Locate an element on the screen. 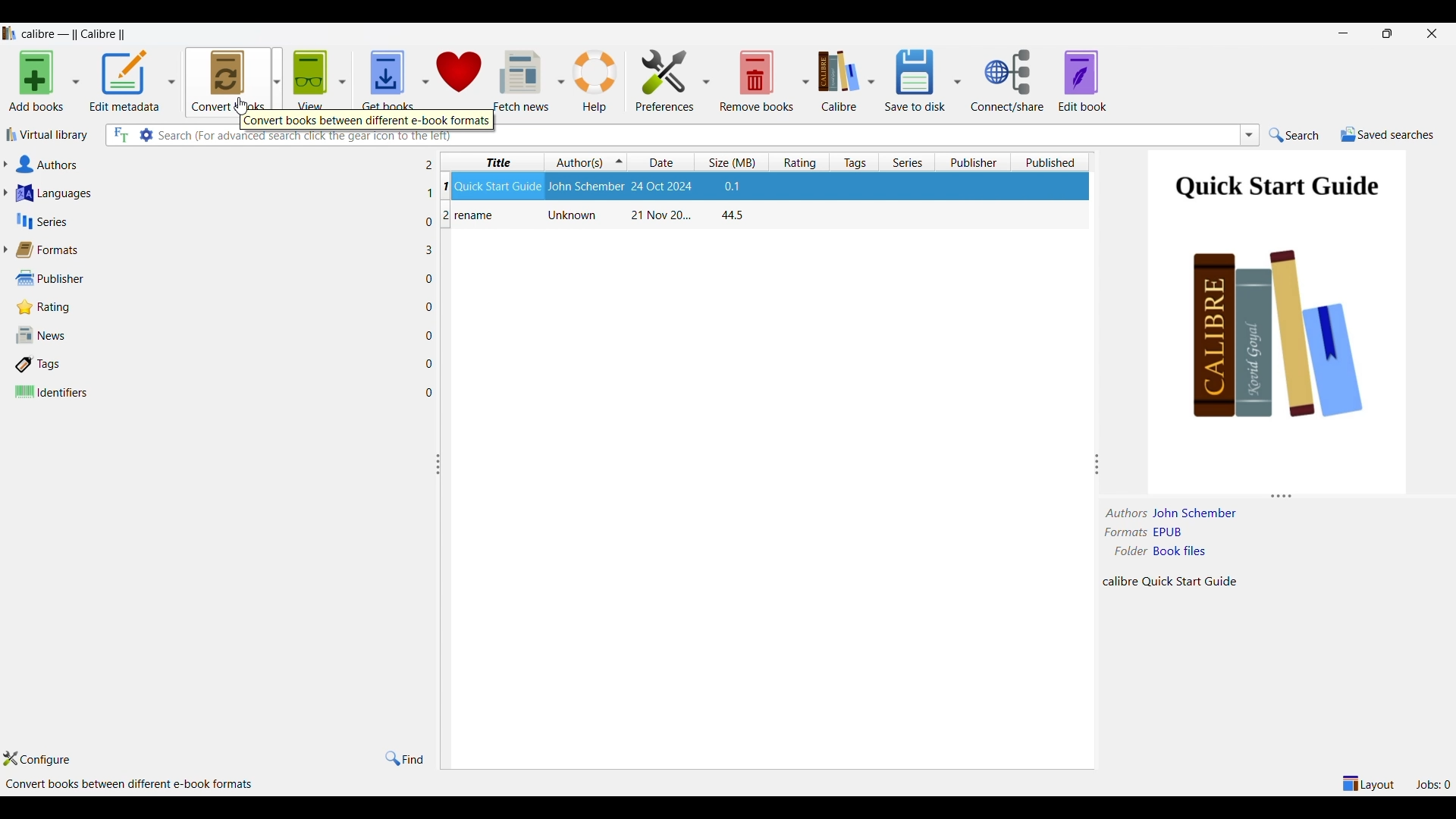 The image size is (1456, 819). Search is located at coordinates (1294, 136).